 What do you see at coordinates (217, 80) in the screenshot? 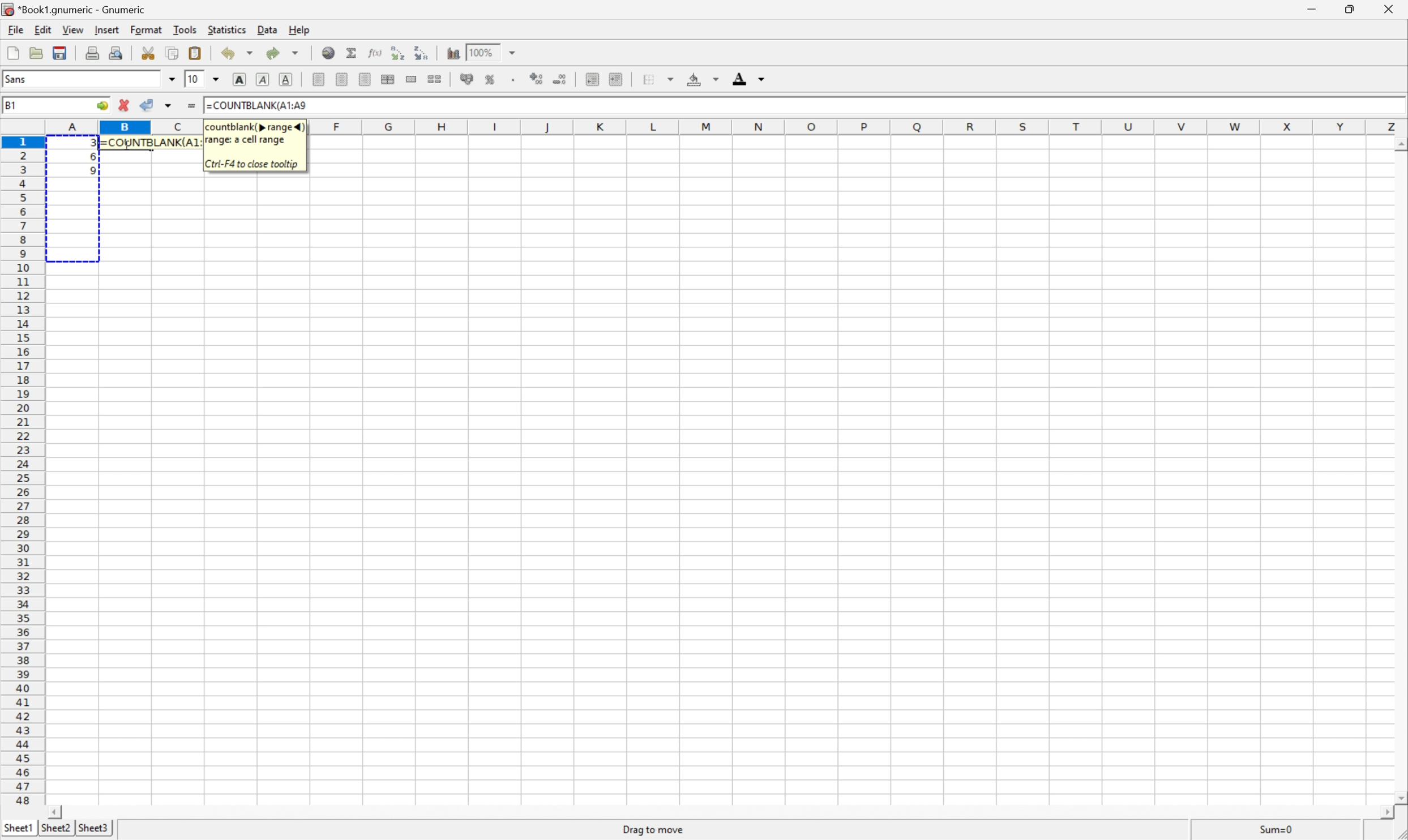
I see `Drop Down` at bounding box center [217, 80].